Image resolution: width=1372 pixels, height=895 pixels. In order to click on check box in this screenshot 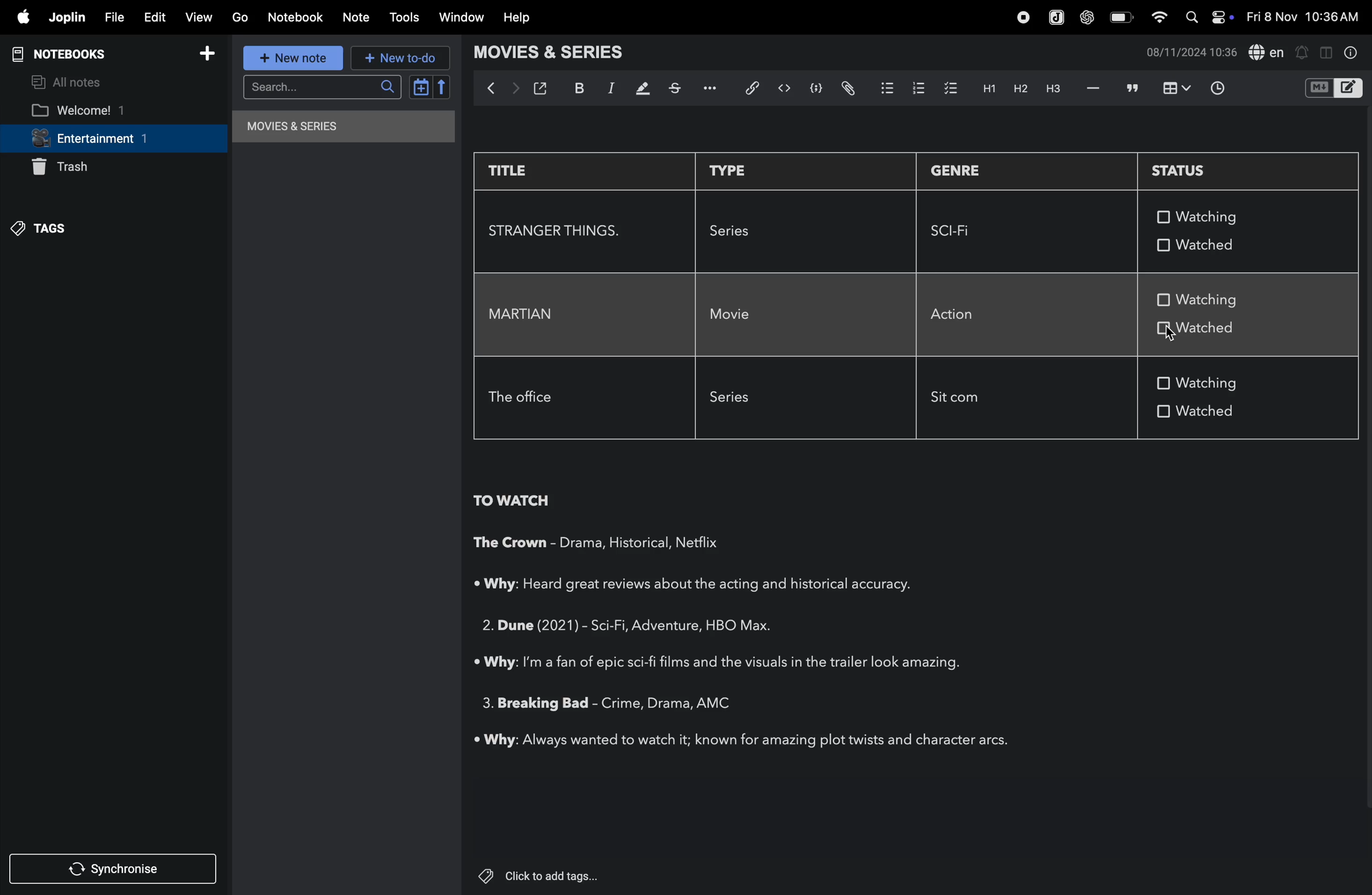, I will do `click(1163, 410)`.